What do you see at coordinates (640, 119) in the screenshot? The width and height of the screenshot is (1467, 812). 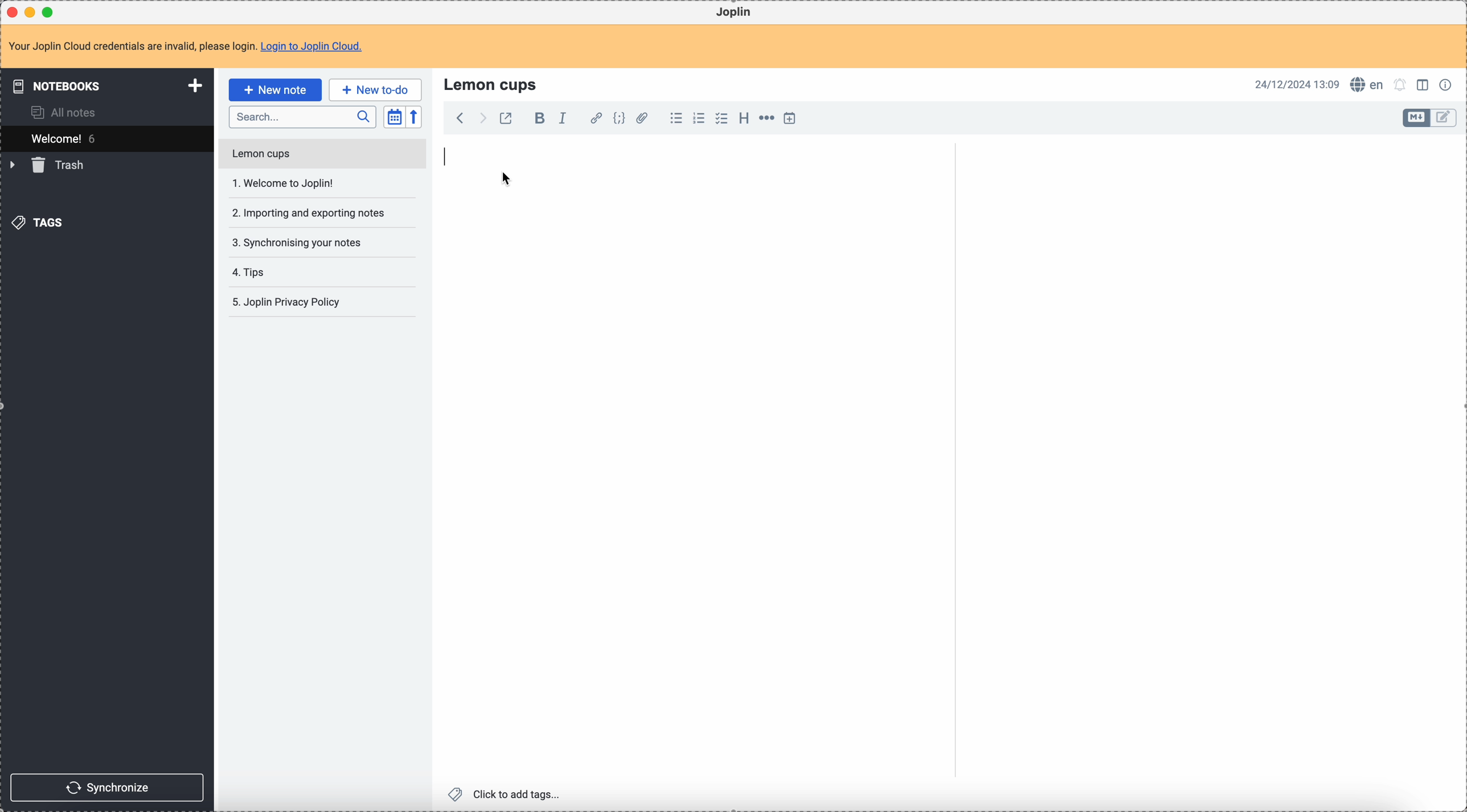 I see `attach file` at bounding box center [640, 119].